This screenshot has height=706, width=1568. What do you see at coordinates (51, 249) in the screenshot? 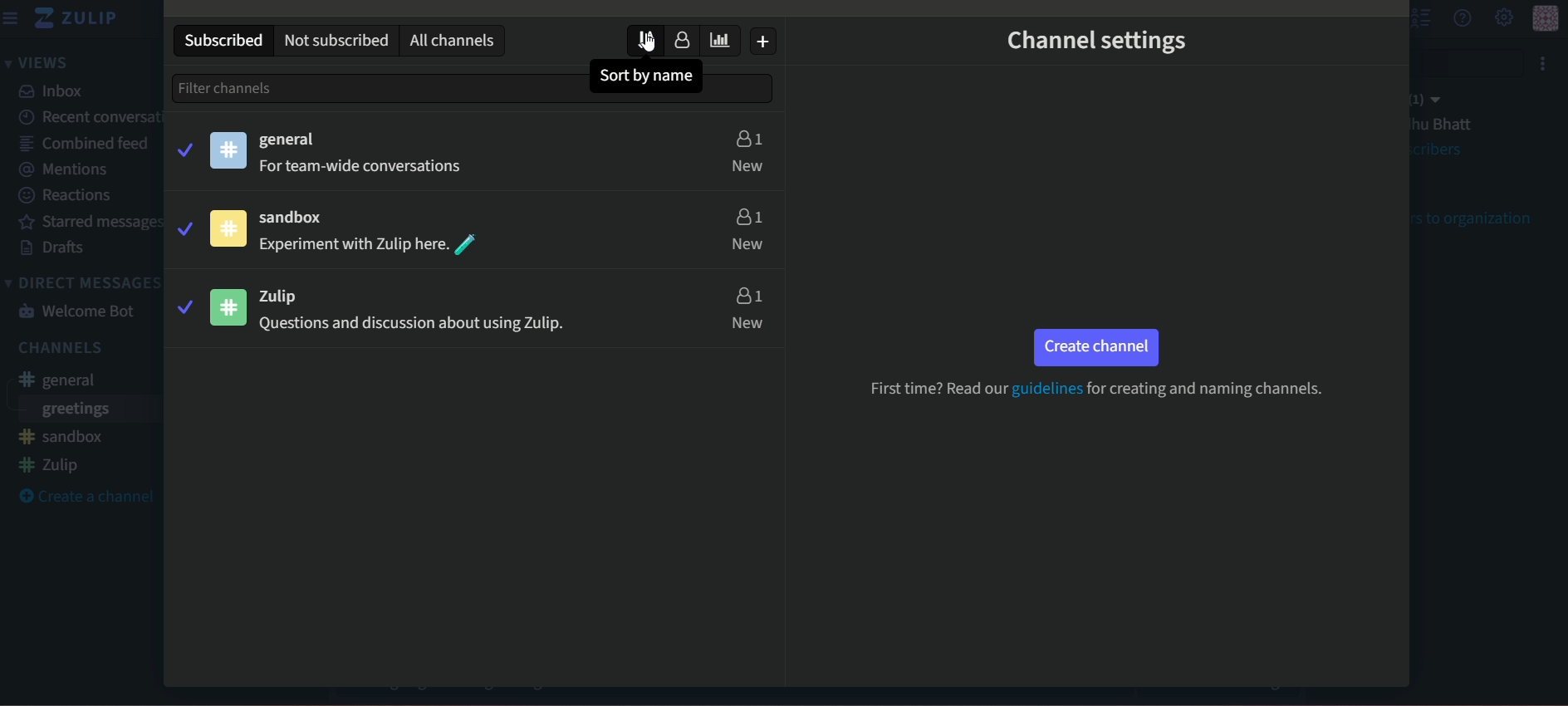
I see `Drafts` at bounding box center [51, 249].